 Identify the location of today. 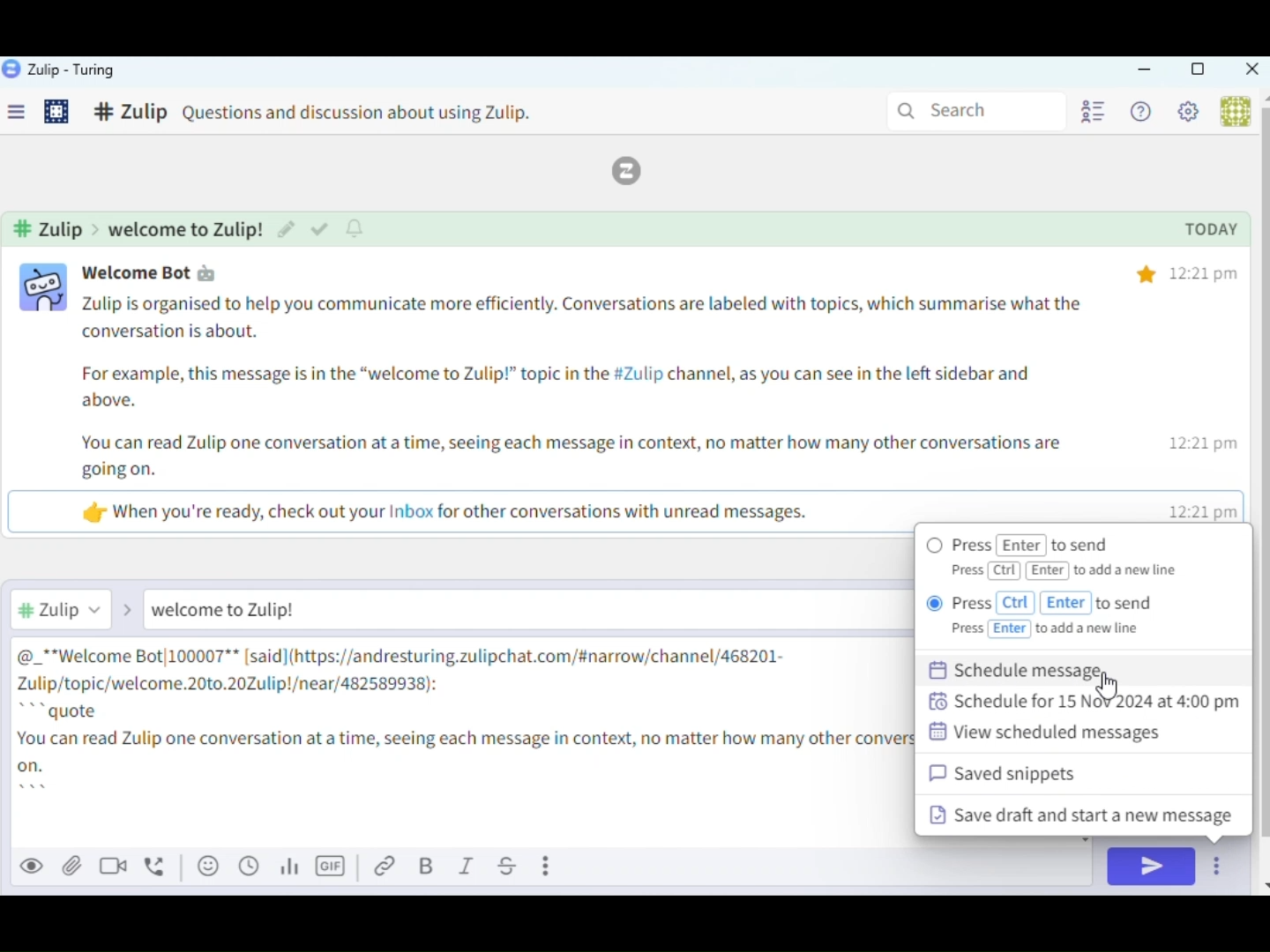
(1211, 231).